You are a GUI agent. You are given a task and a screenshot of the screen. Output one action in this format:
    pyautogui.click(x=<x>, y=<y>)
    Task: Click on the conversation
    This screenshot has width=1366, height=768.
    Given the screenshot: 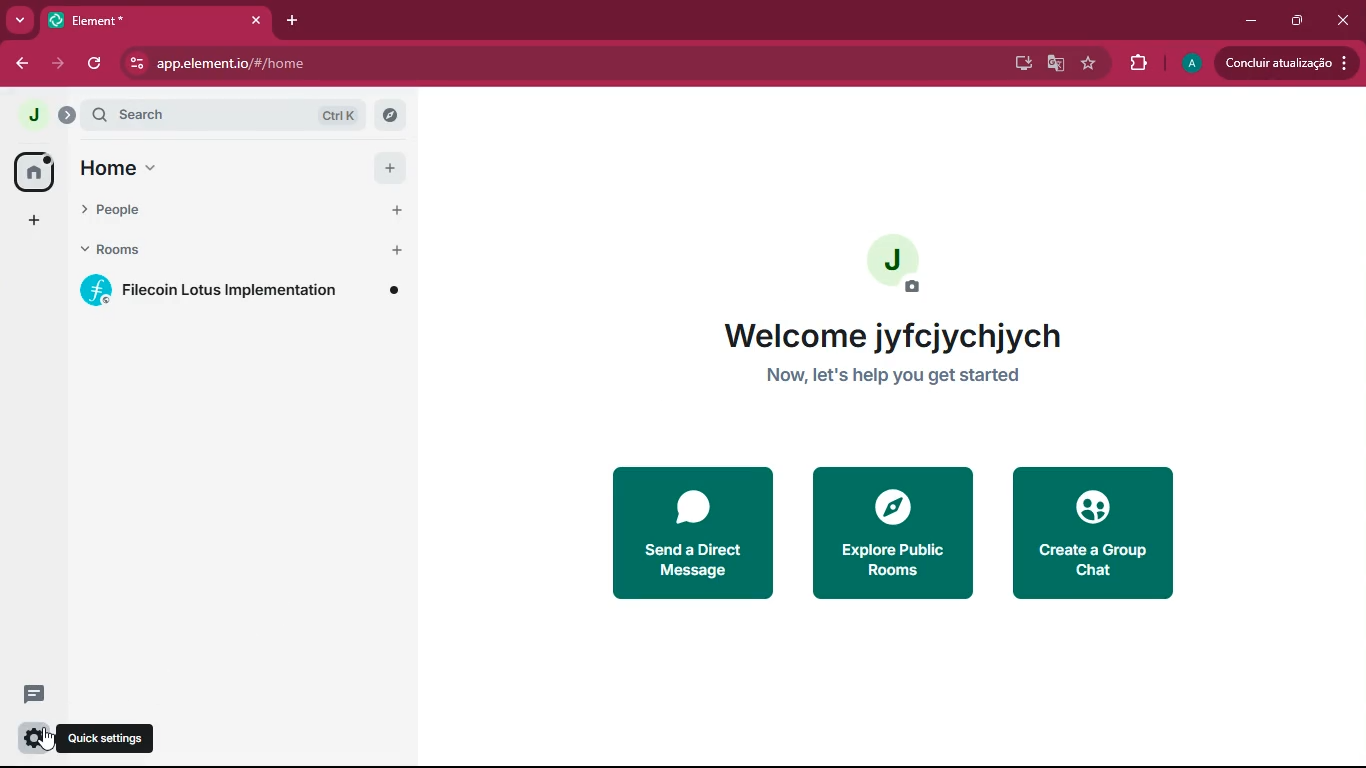 What is the action you would take?
    pyautogui.click(x=30, y=694)
    